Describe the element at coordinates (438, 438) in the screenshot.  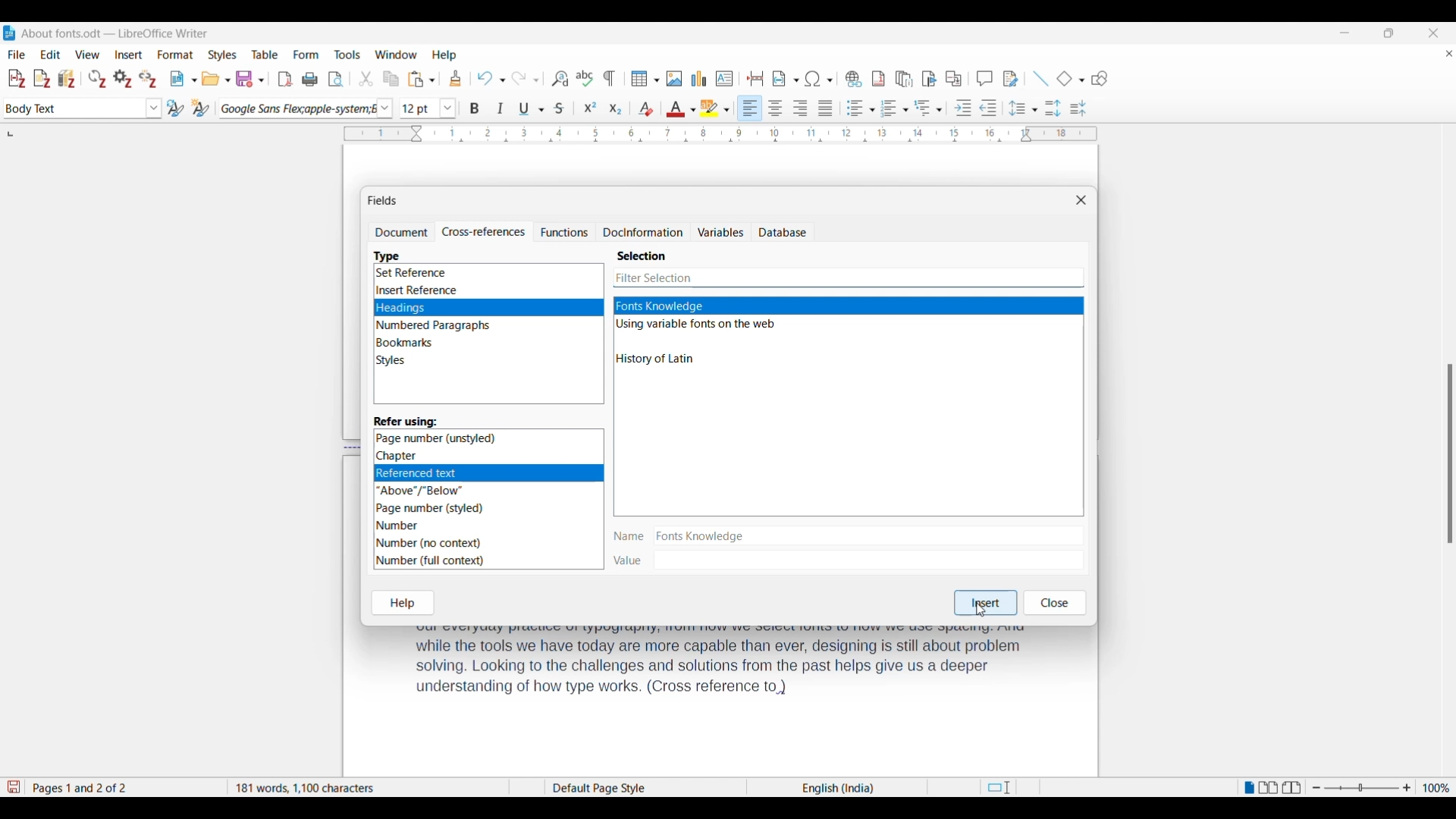
I see `Page number (unstyled)` at that location.